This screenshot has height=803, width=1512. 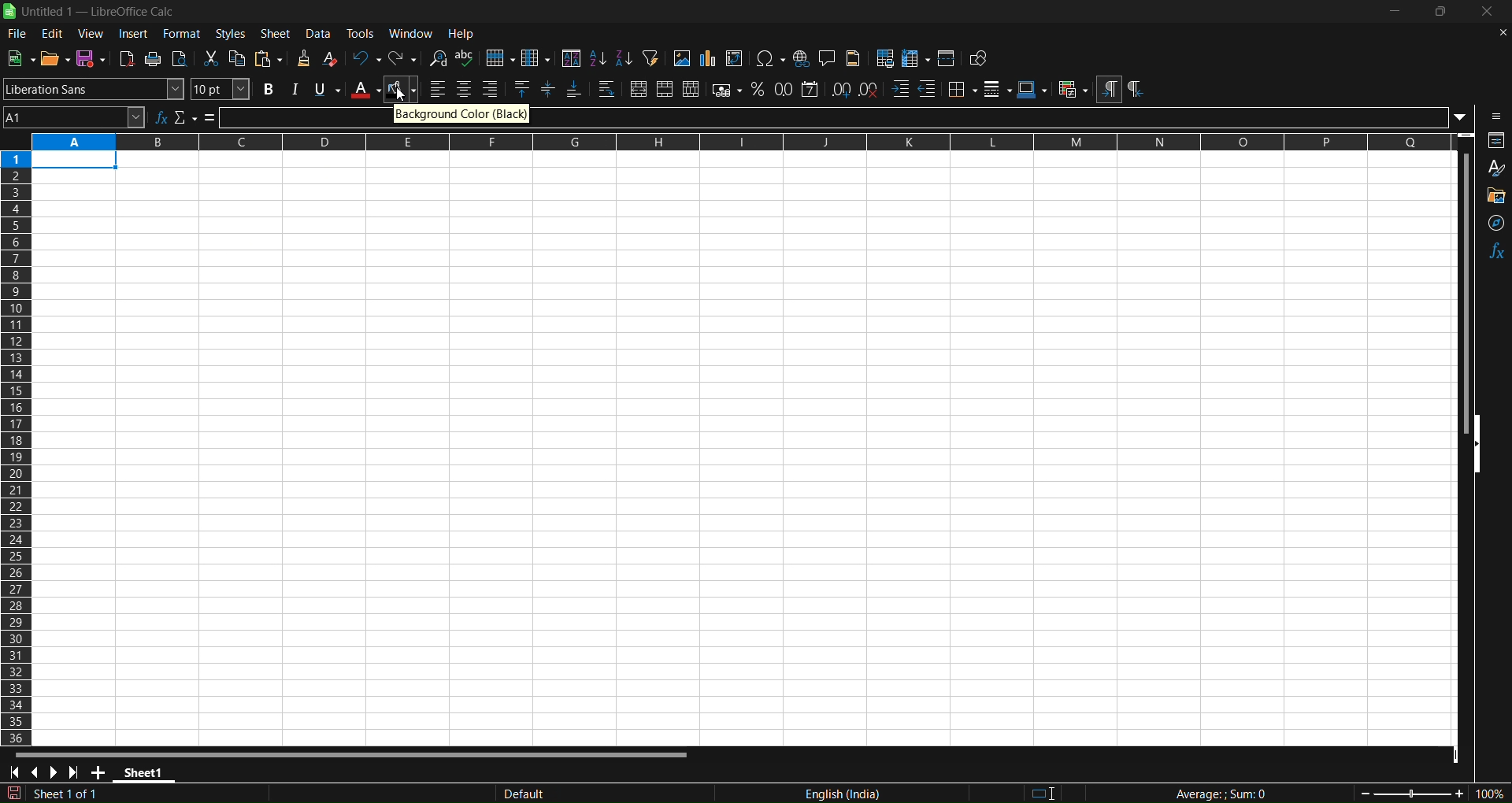 What do you see at coordinates (855, 59) in the screenshot?
I see `heders and footer` at bounding box center [855, 59].